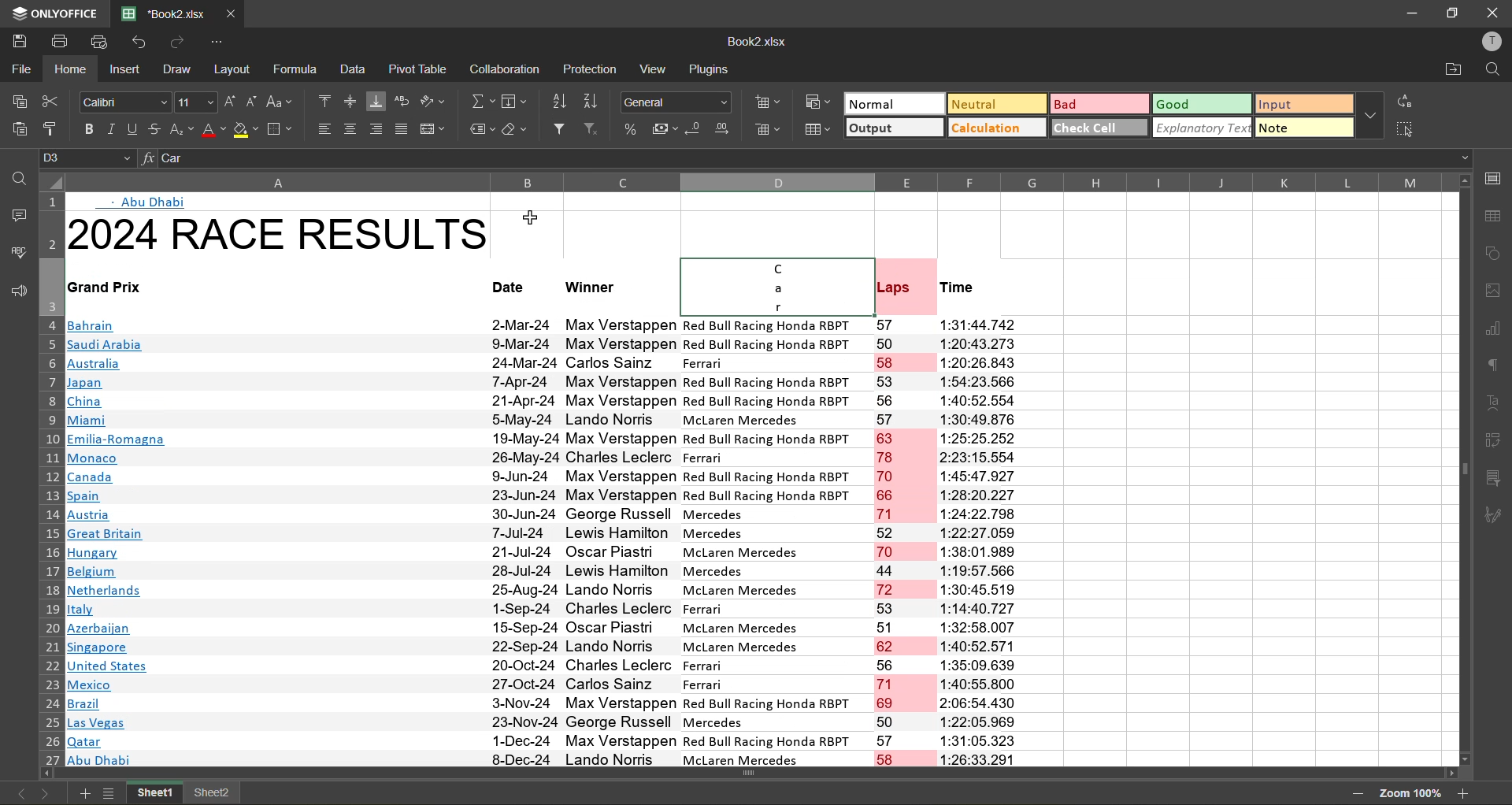 This screenshot has width=1512, height=805. What do you see at coordinates (433, 129) in the screenshot?
I see `merge and center` at bounding box center [433, 129].